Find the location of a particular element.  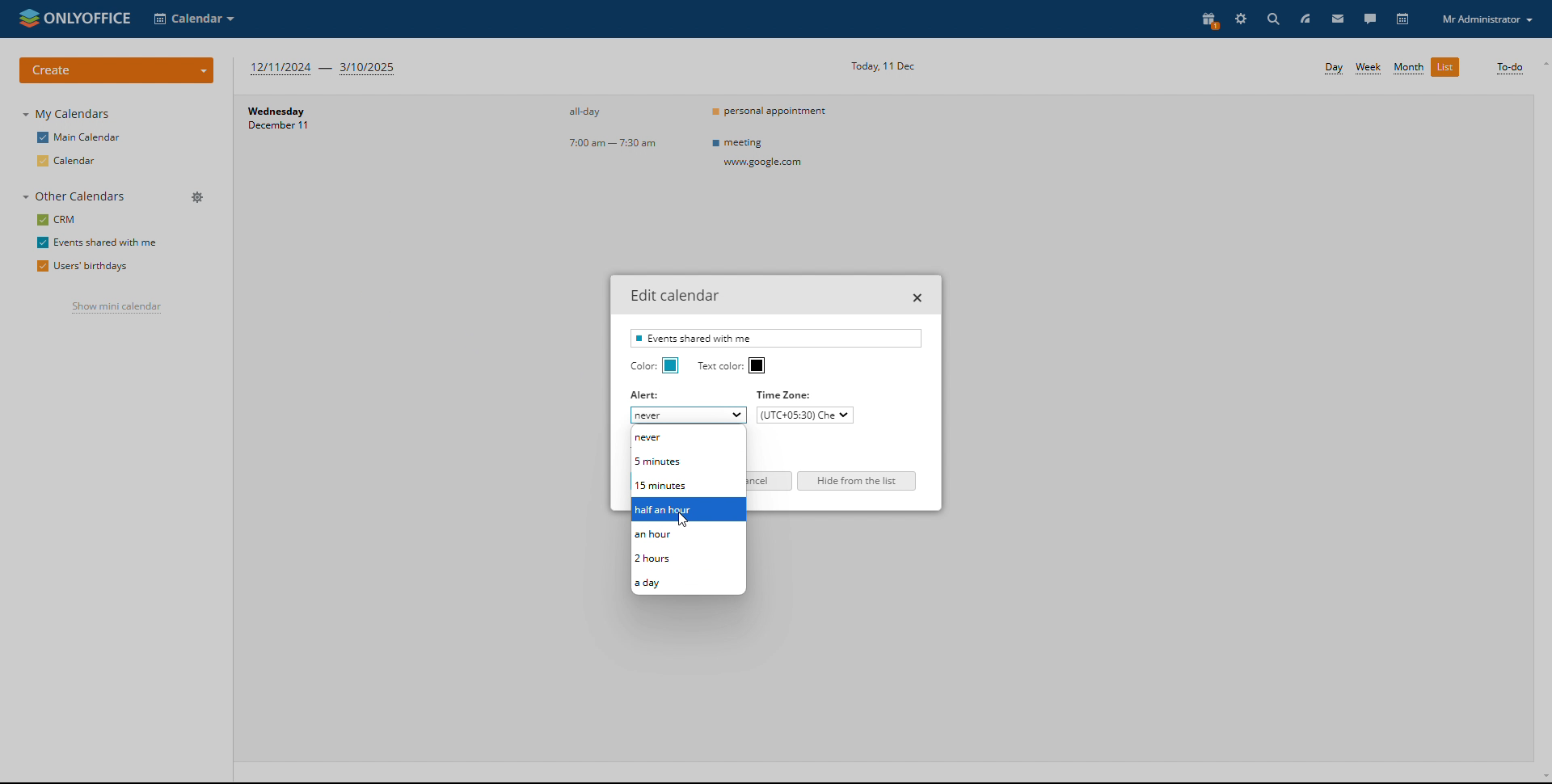

day view is located at coordinates (1334, 69).